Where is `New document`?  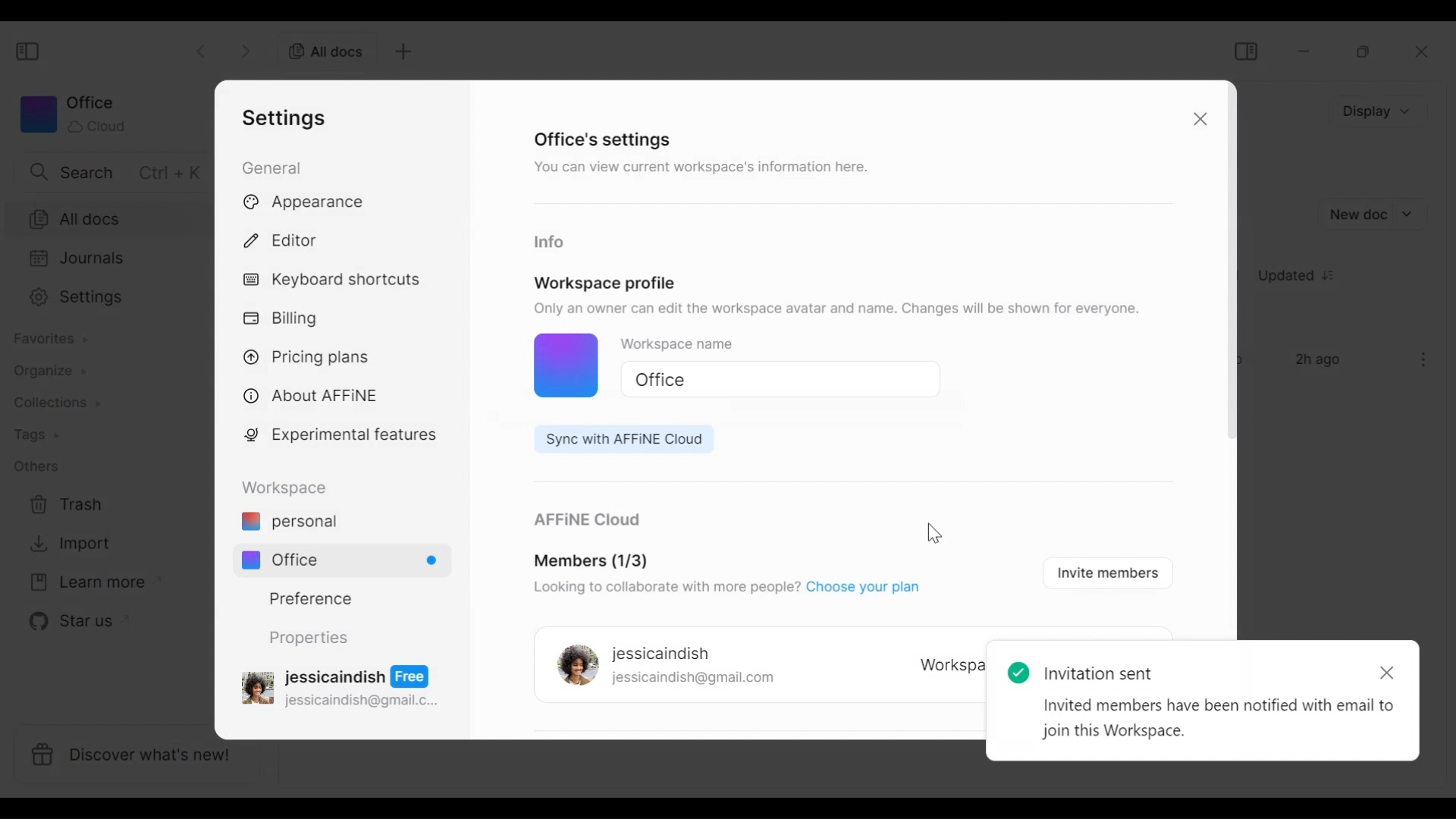
New document is located at coordinates (1372, 215).